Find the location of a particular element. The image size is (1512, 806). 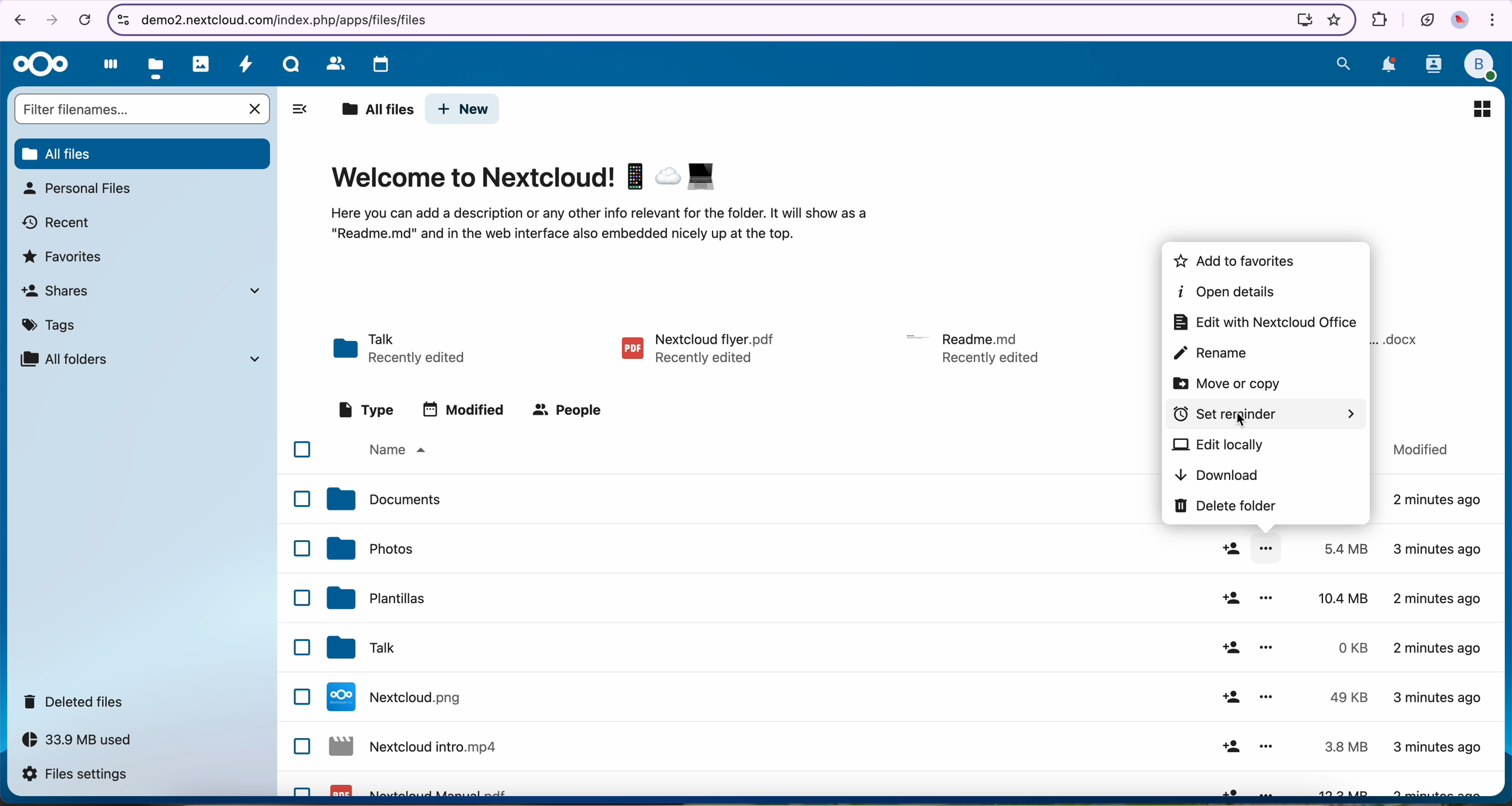

install Nextcloud is located at coordinates (1300, 21).